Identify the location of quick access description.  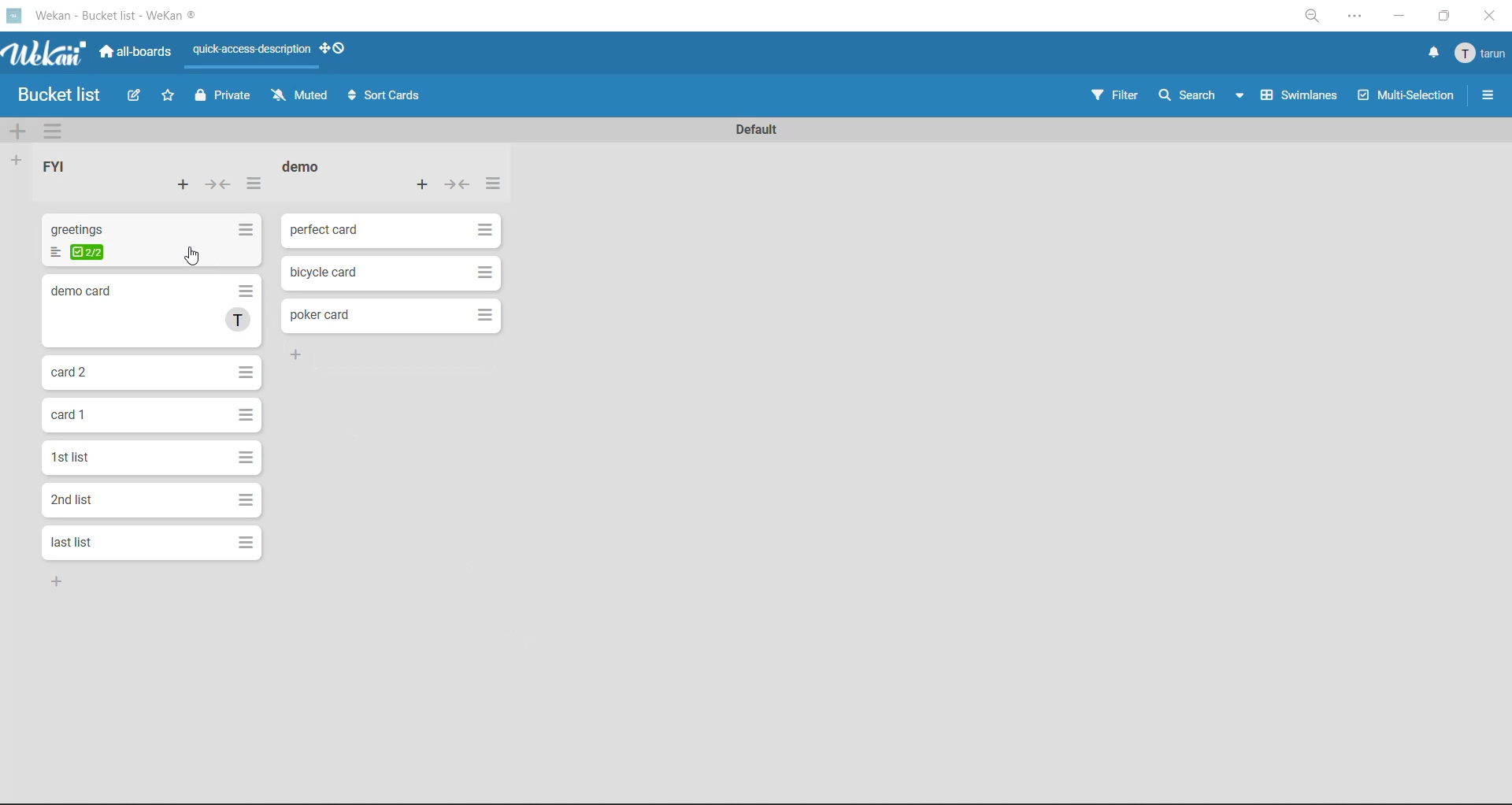
(248, 56).